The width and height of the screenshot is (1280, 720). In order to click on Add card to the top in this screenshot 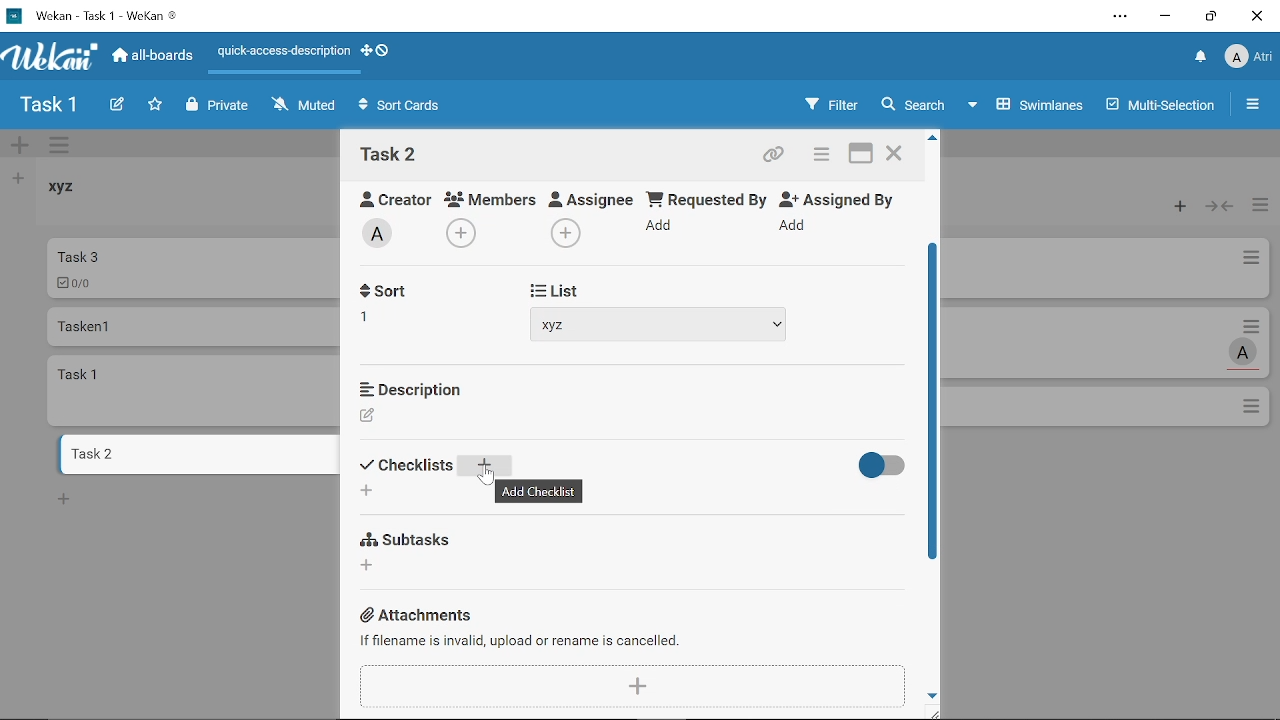, I will do `click(1175, 207)`.